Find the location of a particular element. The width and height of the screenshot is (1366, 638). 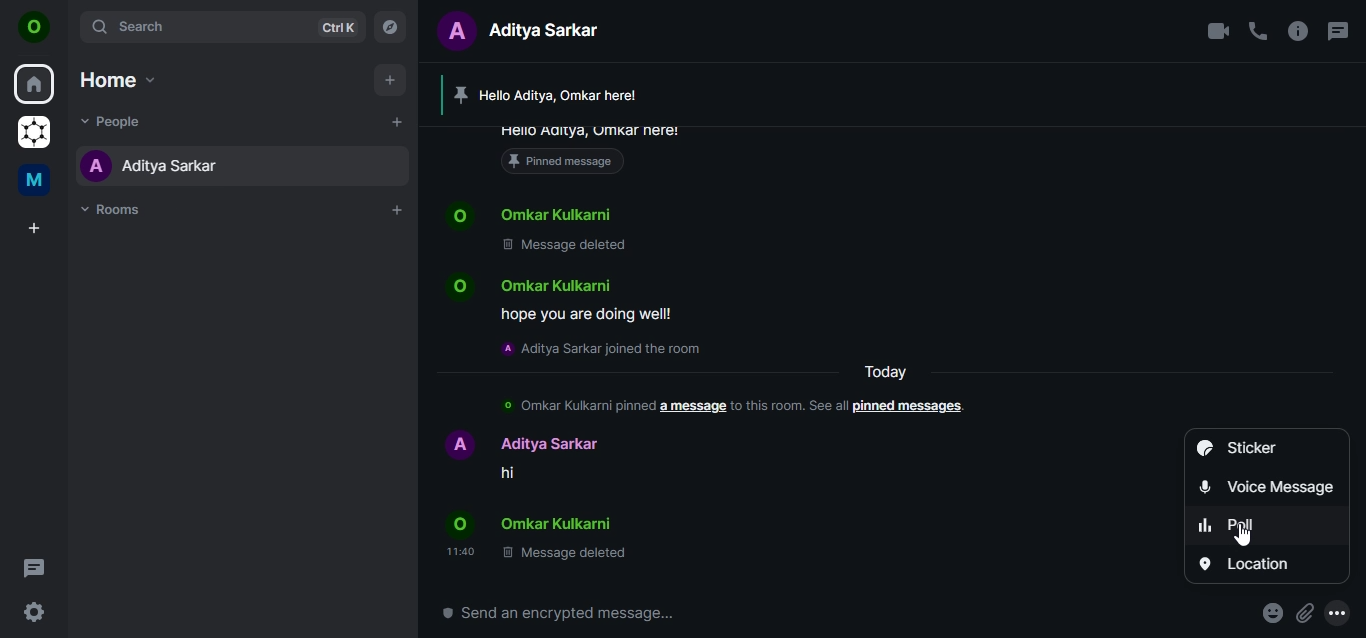

add is located at coordinates (388, 80).